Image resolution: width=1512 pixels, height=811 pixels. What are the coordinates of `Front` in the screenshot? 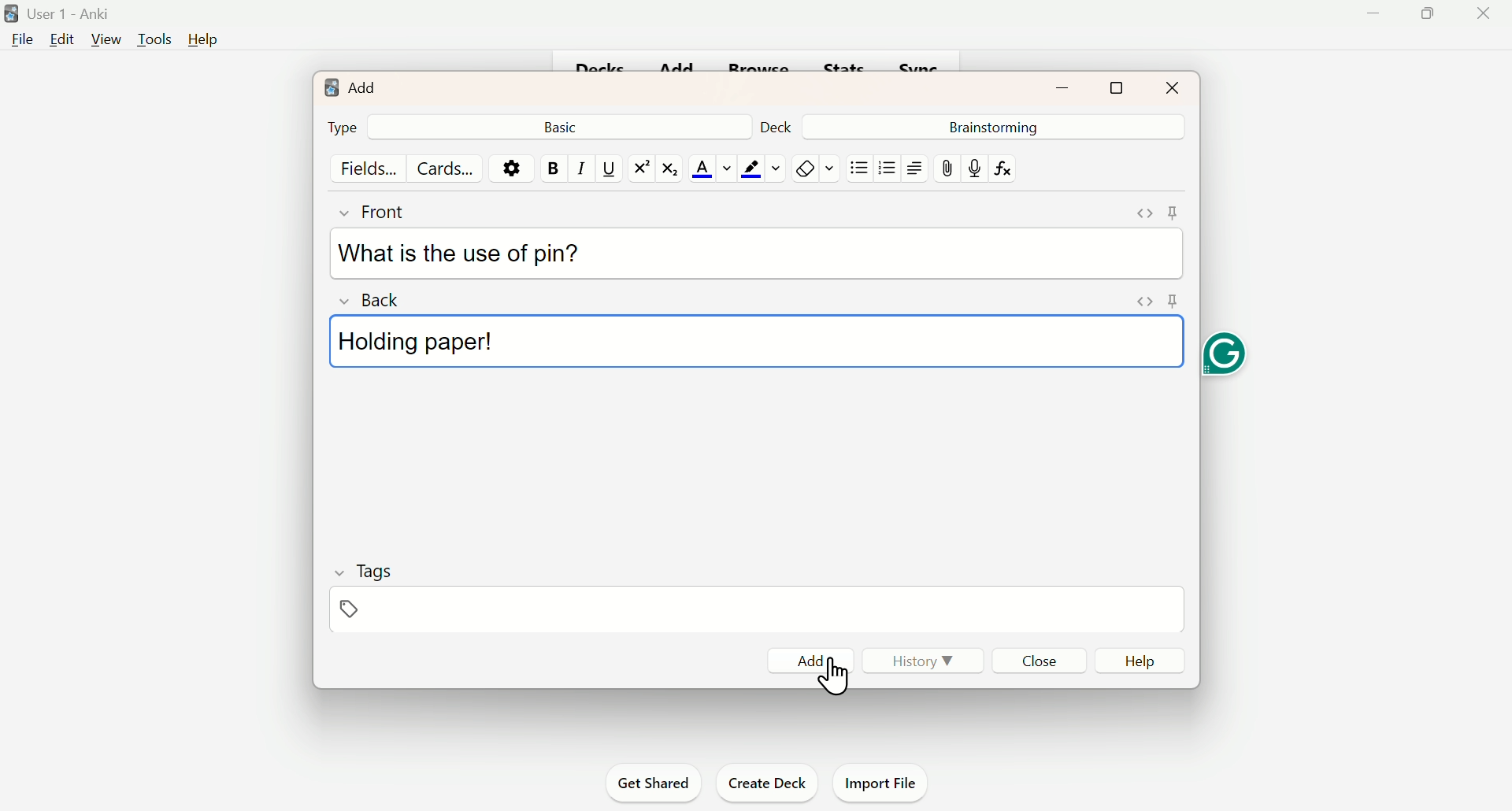 It's located at (388, 209).